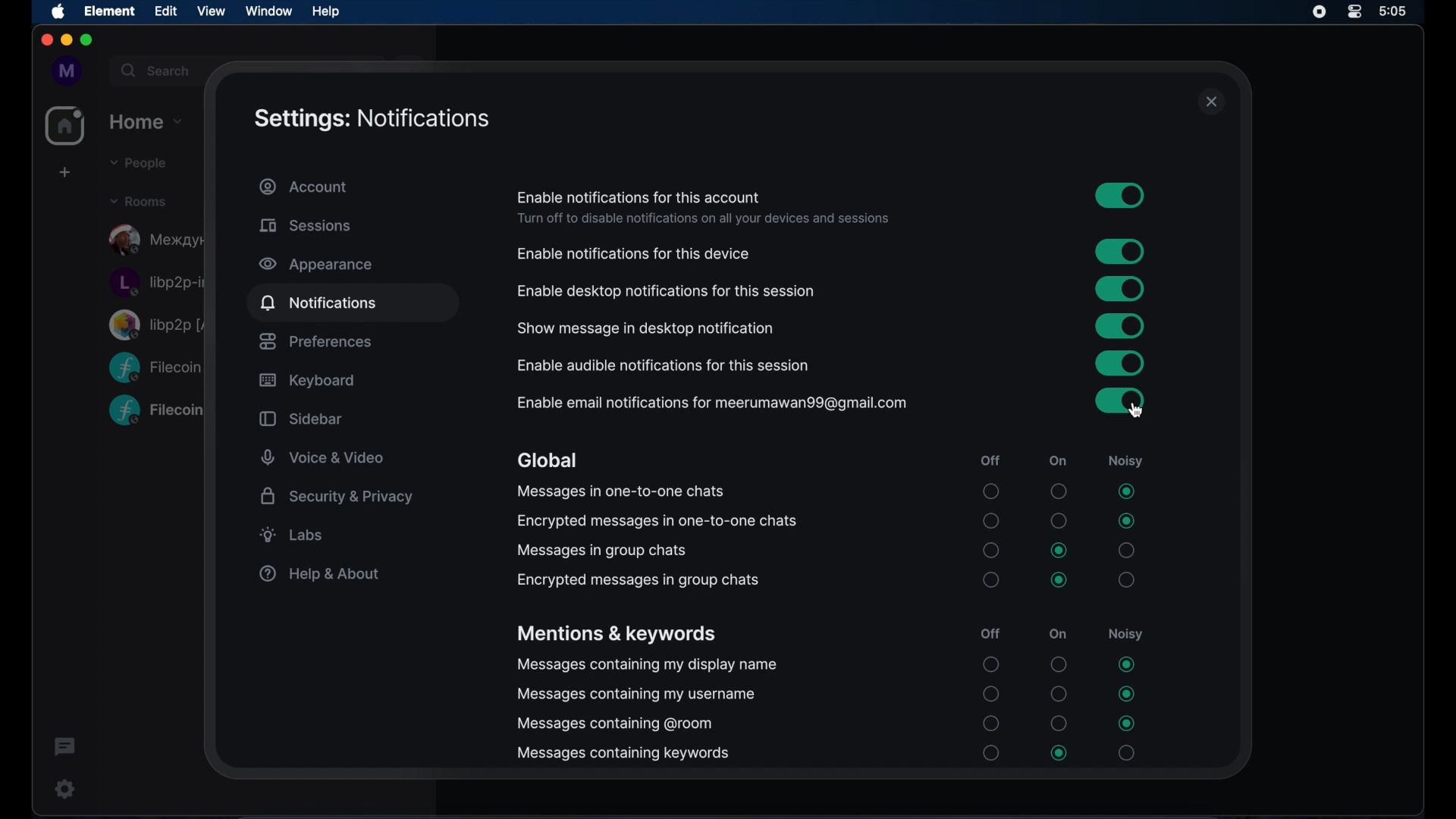  Describe the element at coordinates (110, 11) in the screenshot. I see `element` at that location.